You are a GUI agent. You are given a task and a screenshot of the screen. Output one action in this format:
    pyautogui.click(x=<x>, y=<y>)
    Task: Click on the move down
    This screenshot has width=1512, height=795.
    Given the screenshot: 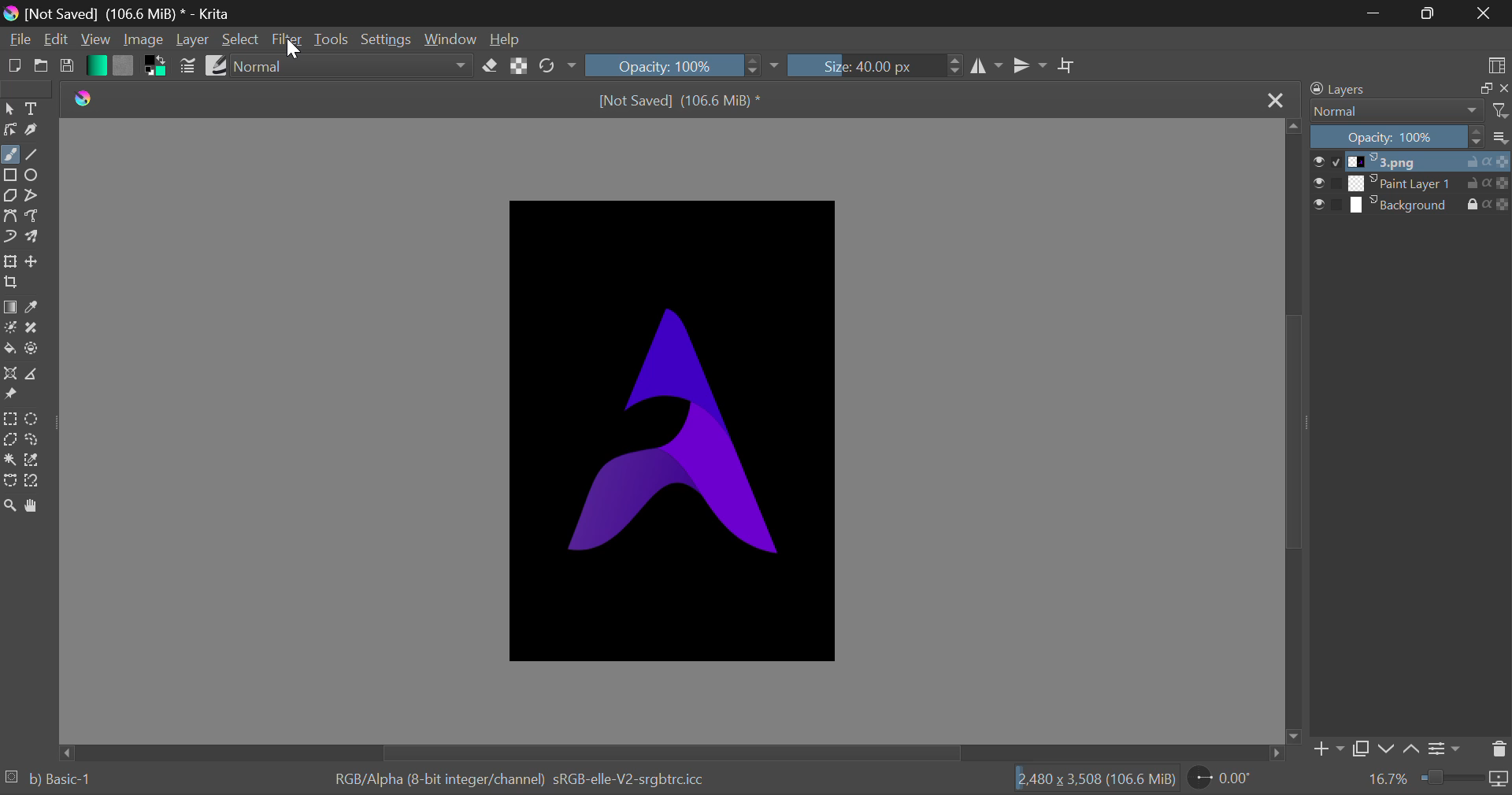 What is the action you would take?
    pyautogui.click(x=1295, y=735)
    